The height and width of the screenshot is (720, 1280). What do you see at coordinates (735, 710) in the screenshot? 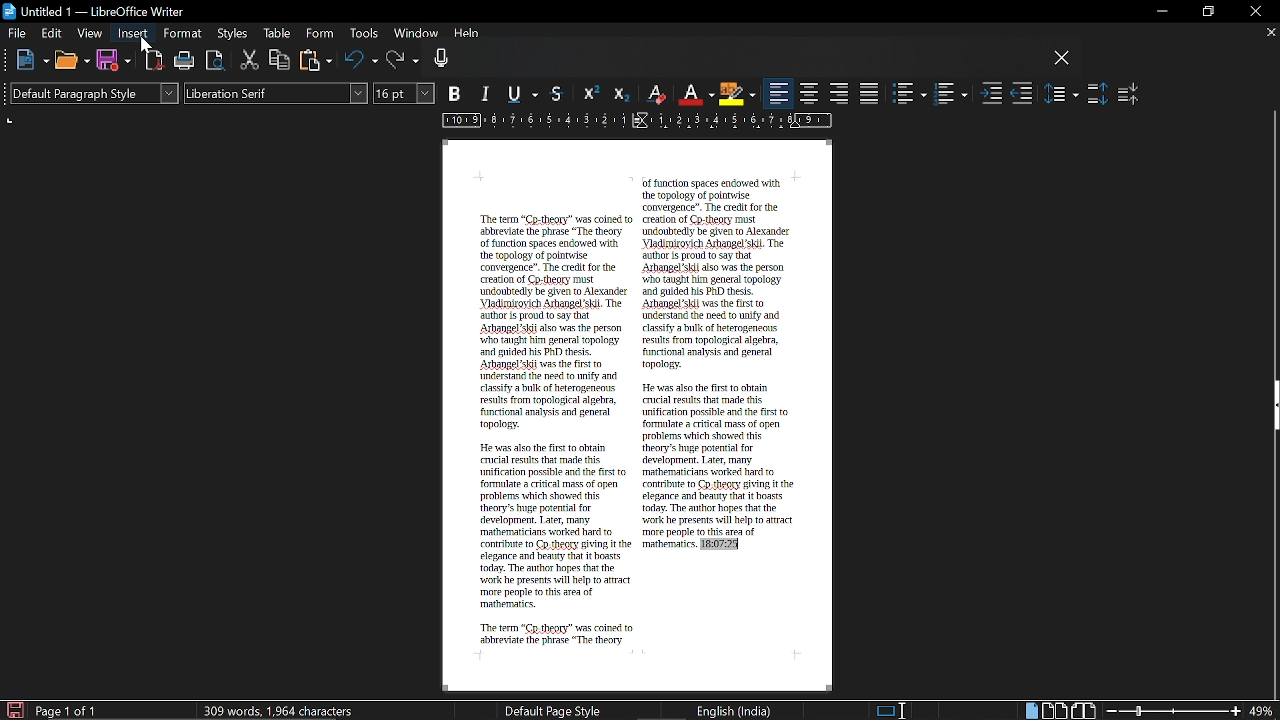
I see `English (India)` at bounding box center [735, 710].